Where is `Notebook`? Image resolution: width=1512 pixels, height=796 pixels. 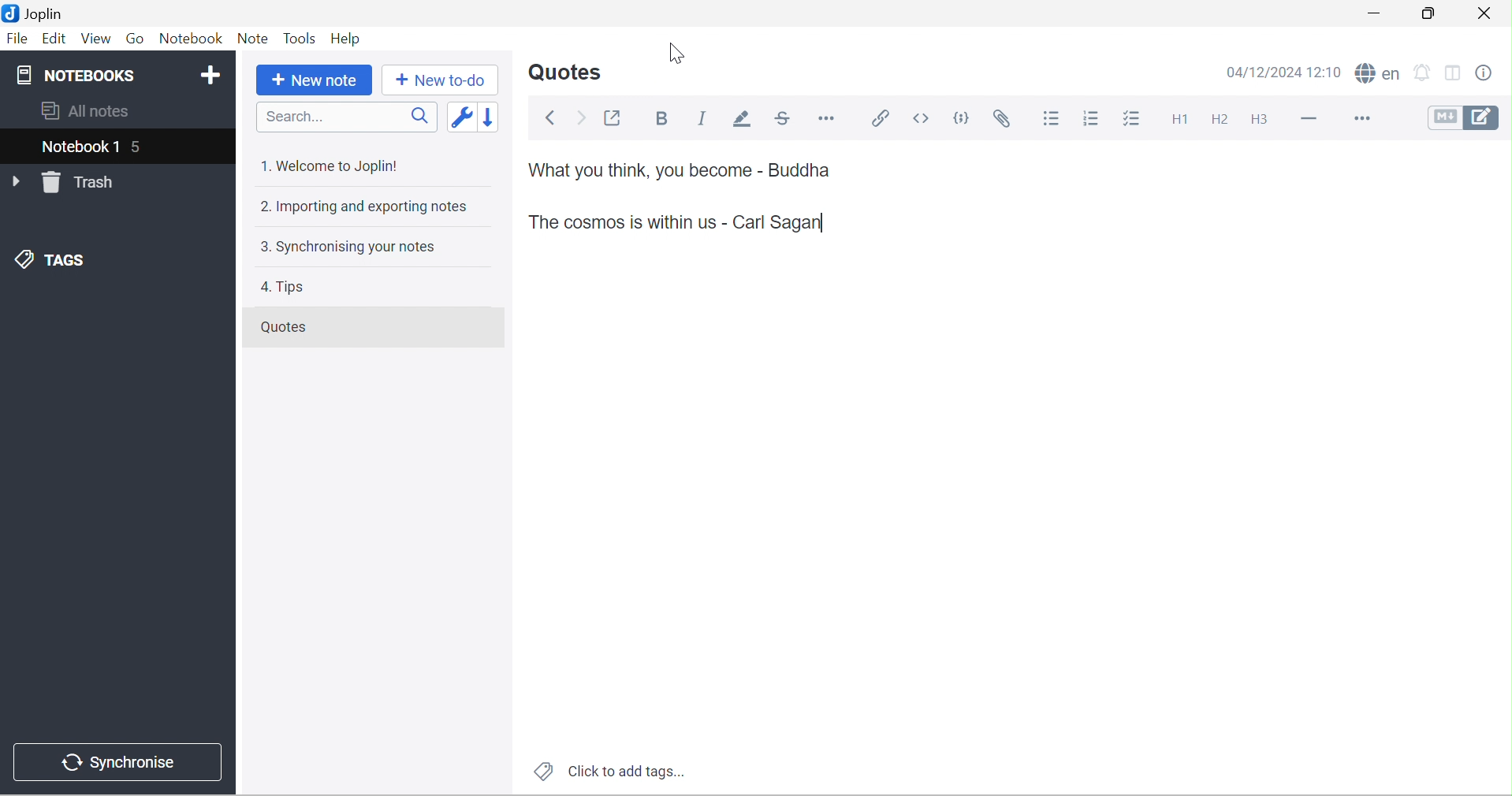
Notebook is located at coordinates (193, 40).